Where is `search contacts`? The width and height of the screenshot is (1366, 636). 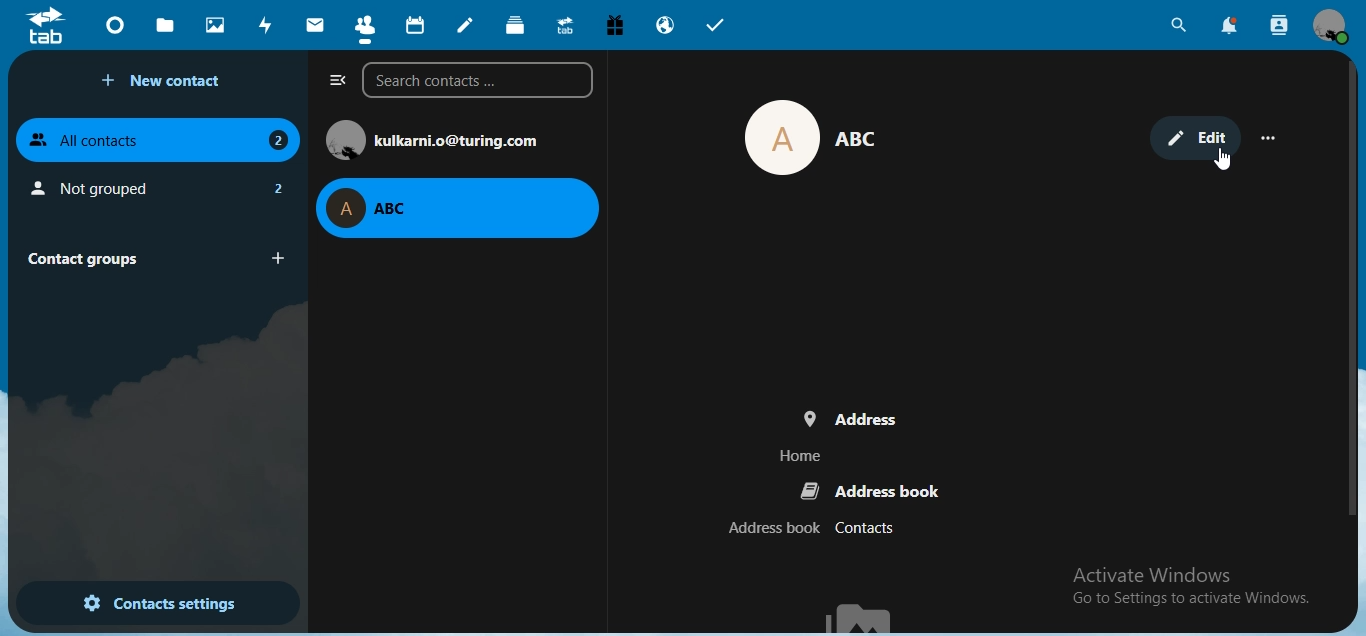 search contacts is located at coordinates (1280, 27).